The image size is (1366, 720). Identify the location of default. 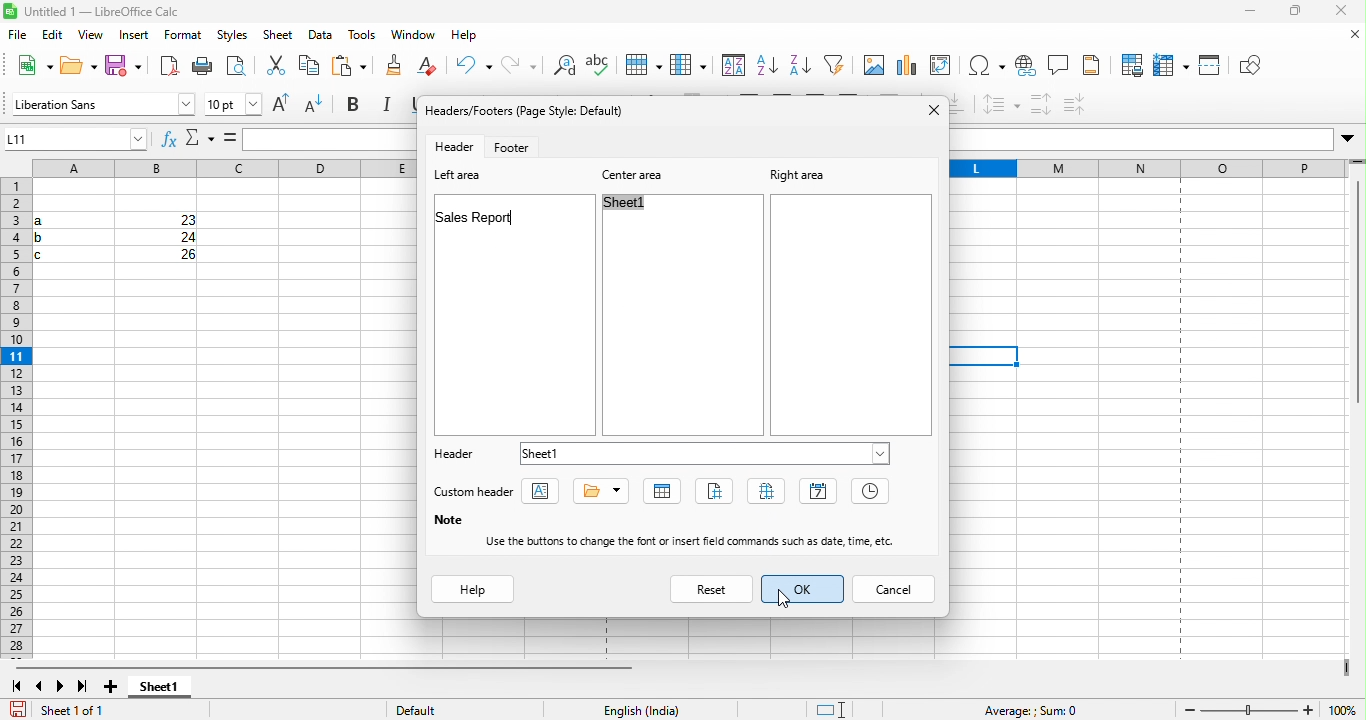
(443, 707).